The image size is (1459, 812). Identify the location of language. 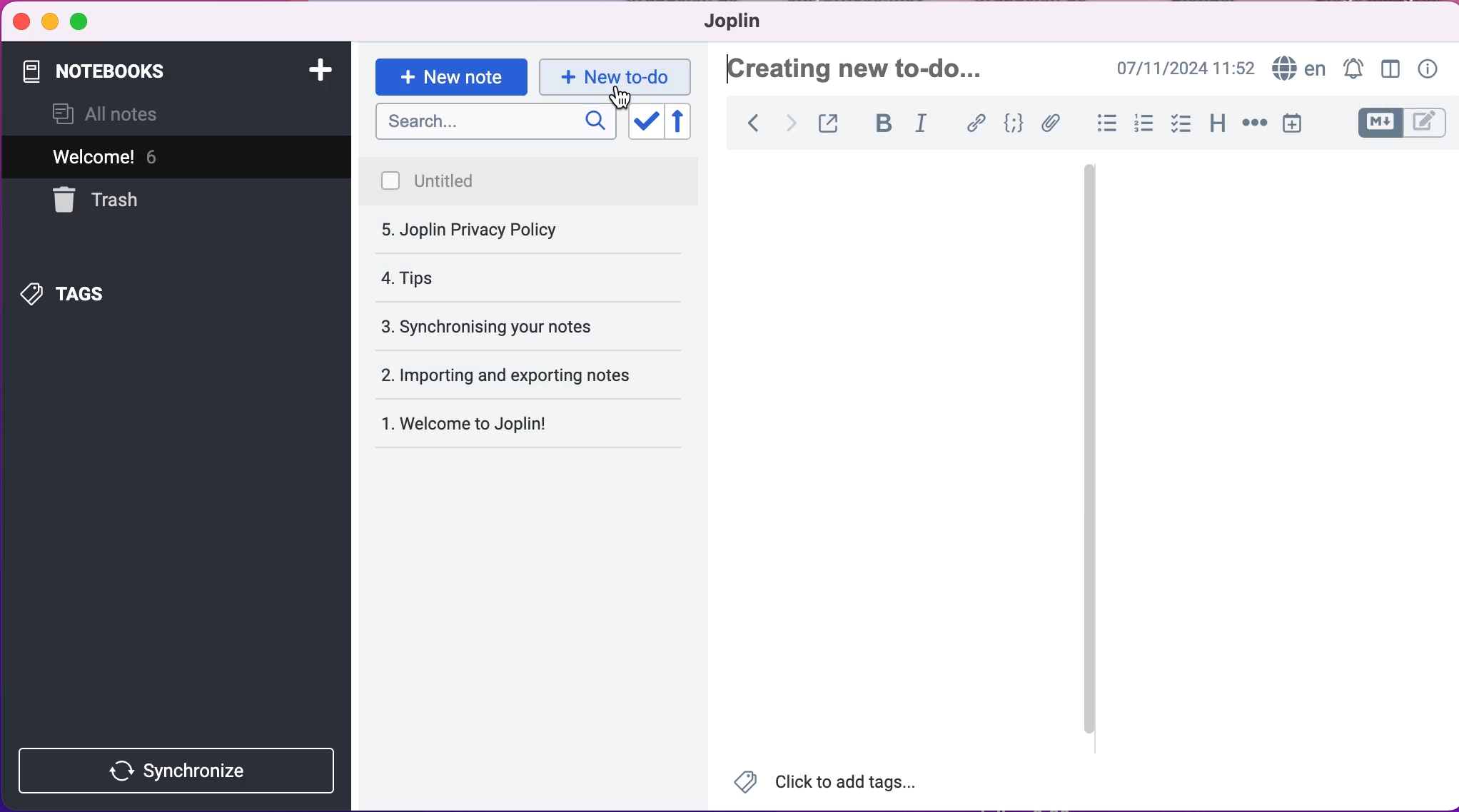
(1298, 66).